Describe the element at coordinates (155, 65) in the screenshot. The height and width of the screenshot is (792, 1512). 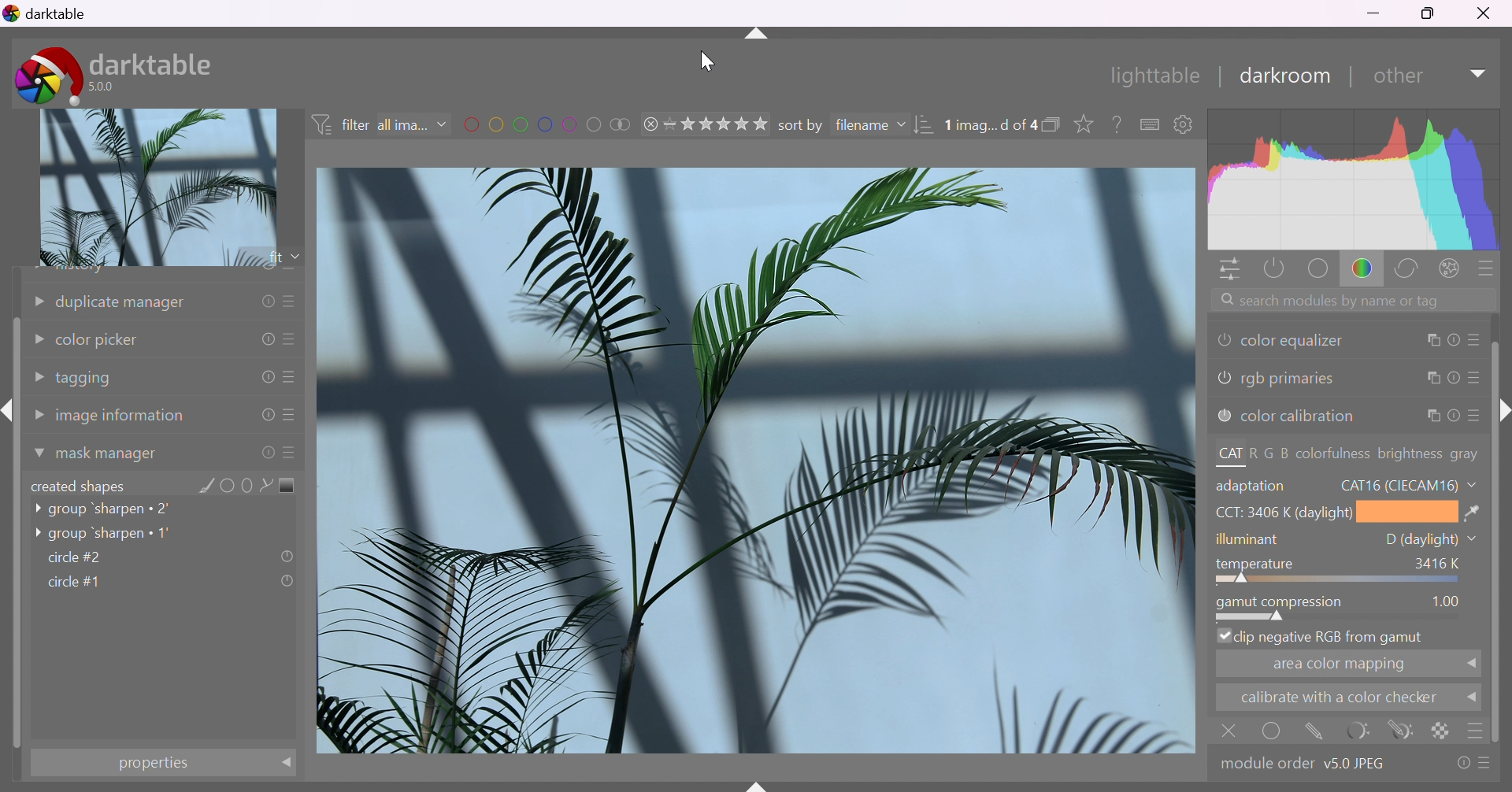
I see `darktable` at that location.